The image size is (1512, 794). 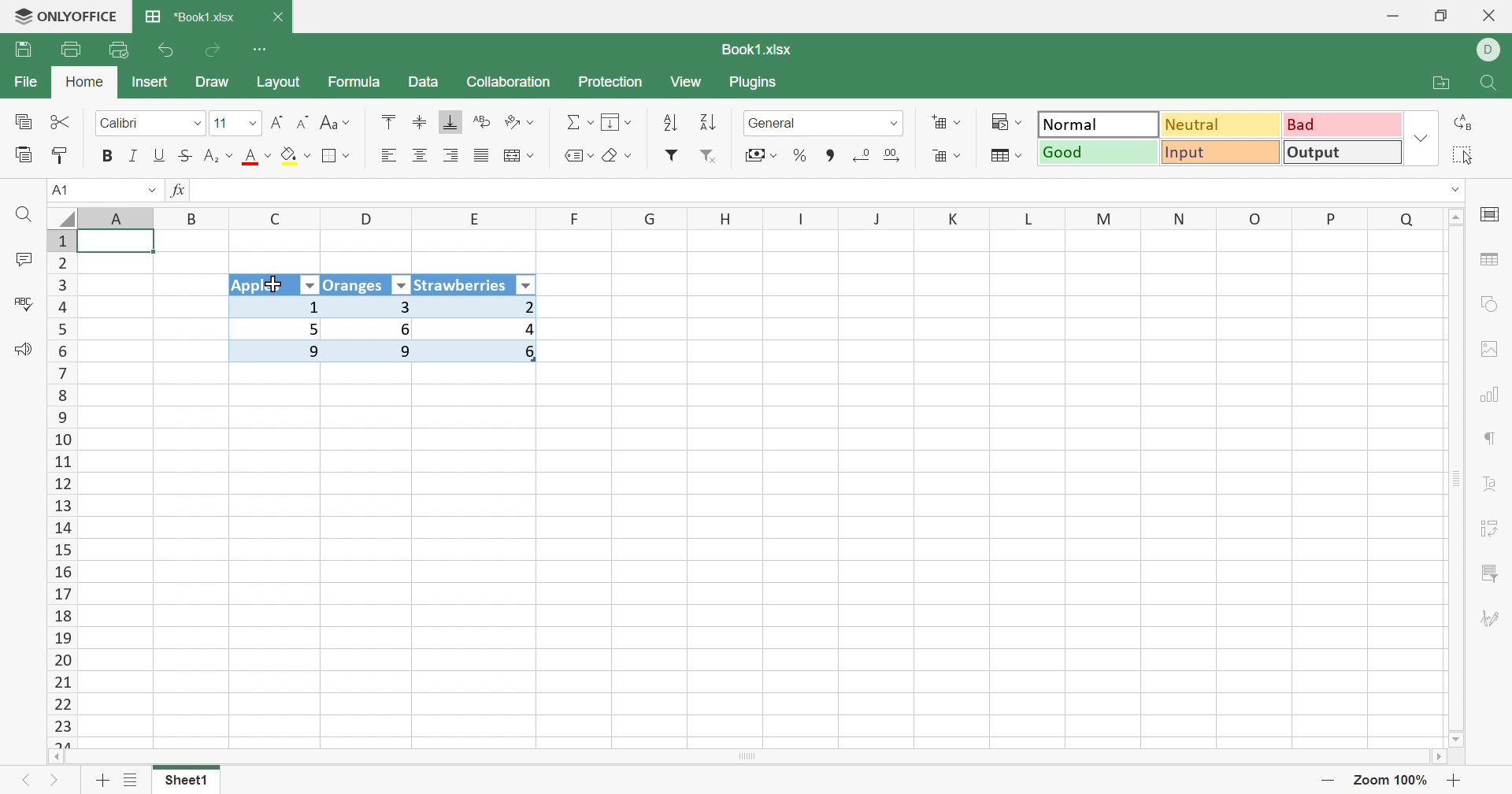 I want to click on Named ranges, so click(x=576, y=155).